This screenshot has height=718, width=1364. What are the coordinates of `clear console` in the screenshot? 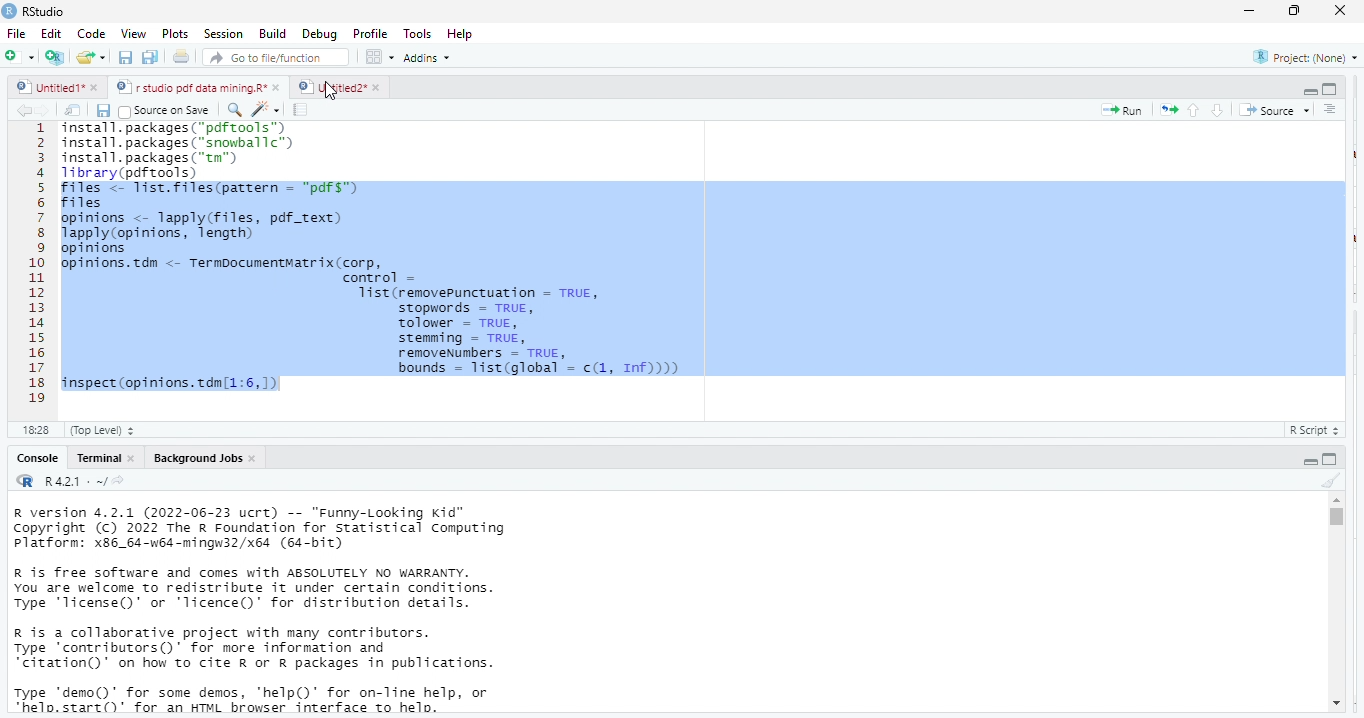 It's located at (1330, 478).